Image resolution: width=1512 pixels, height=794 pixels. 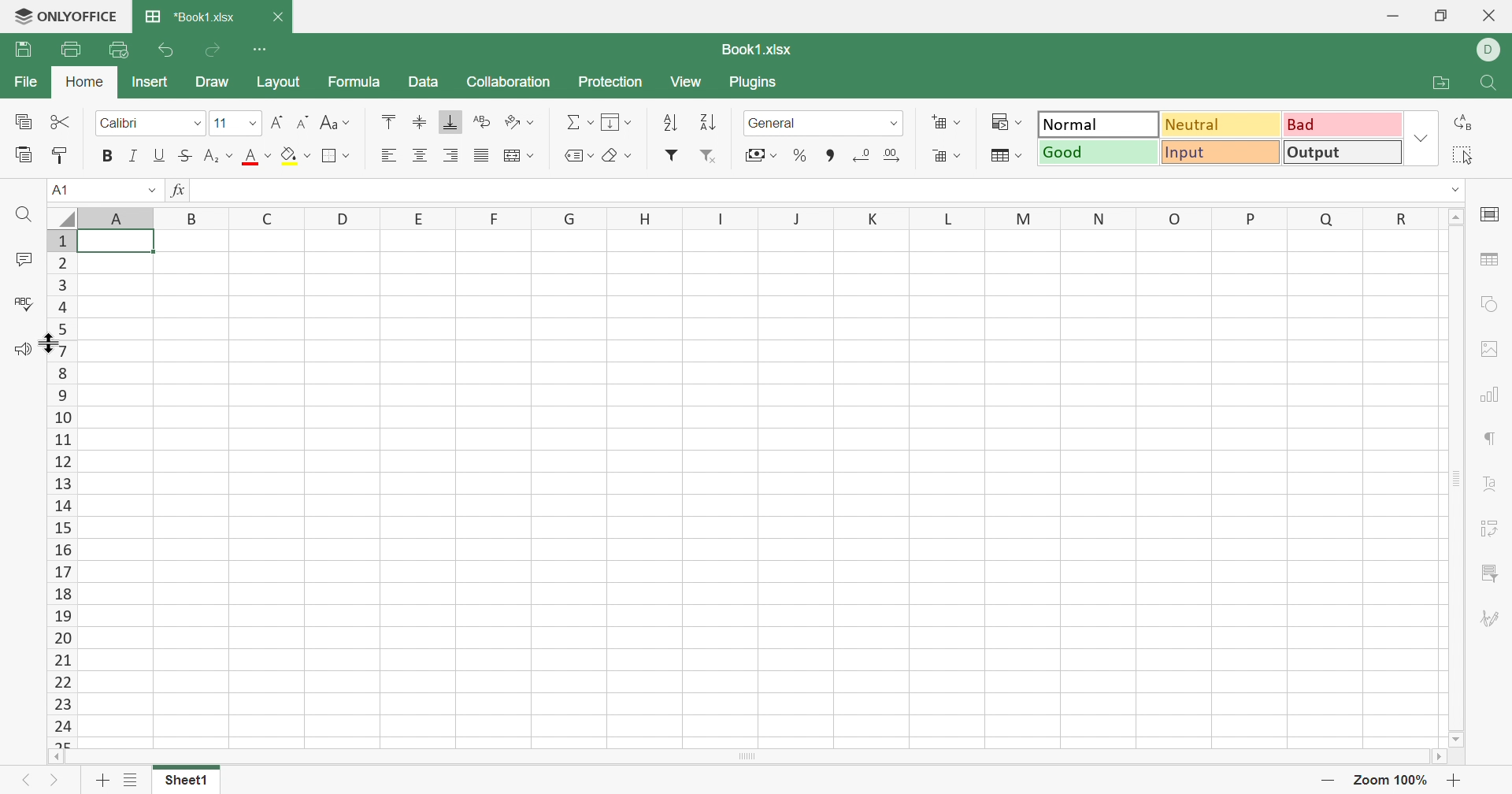 What do you see at coordinates (1492, 50) in the screenshot?
I see `DELL` at bounding box center [1492, 50].